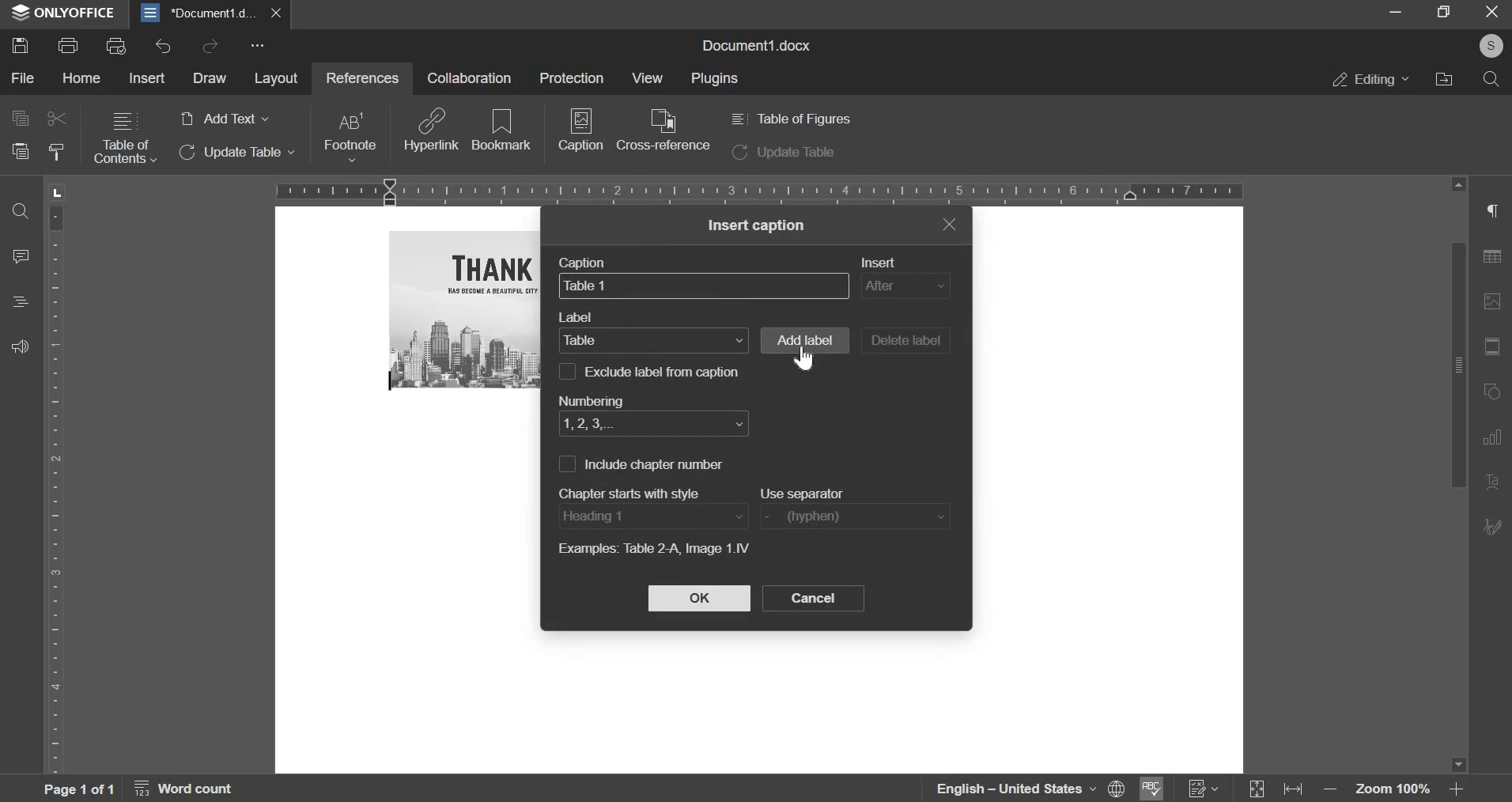 This screenshot has height=802, width=1512. I want to click on insert, so click(885, 262).